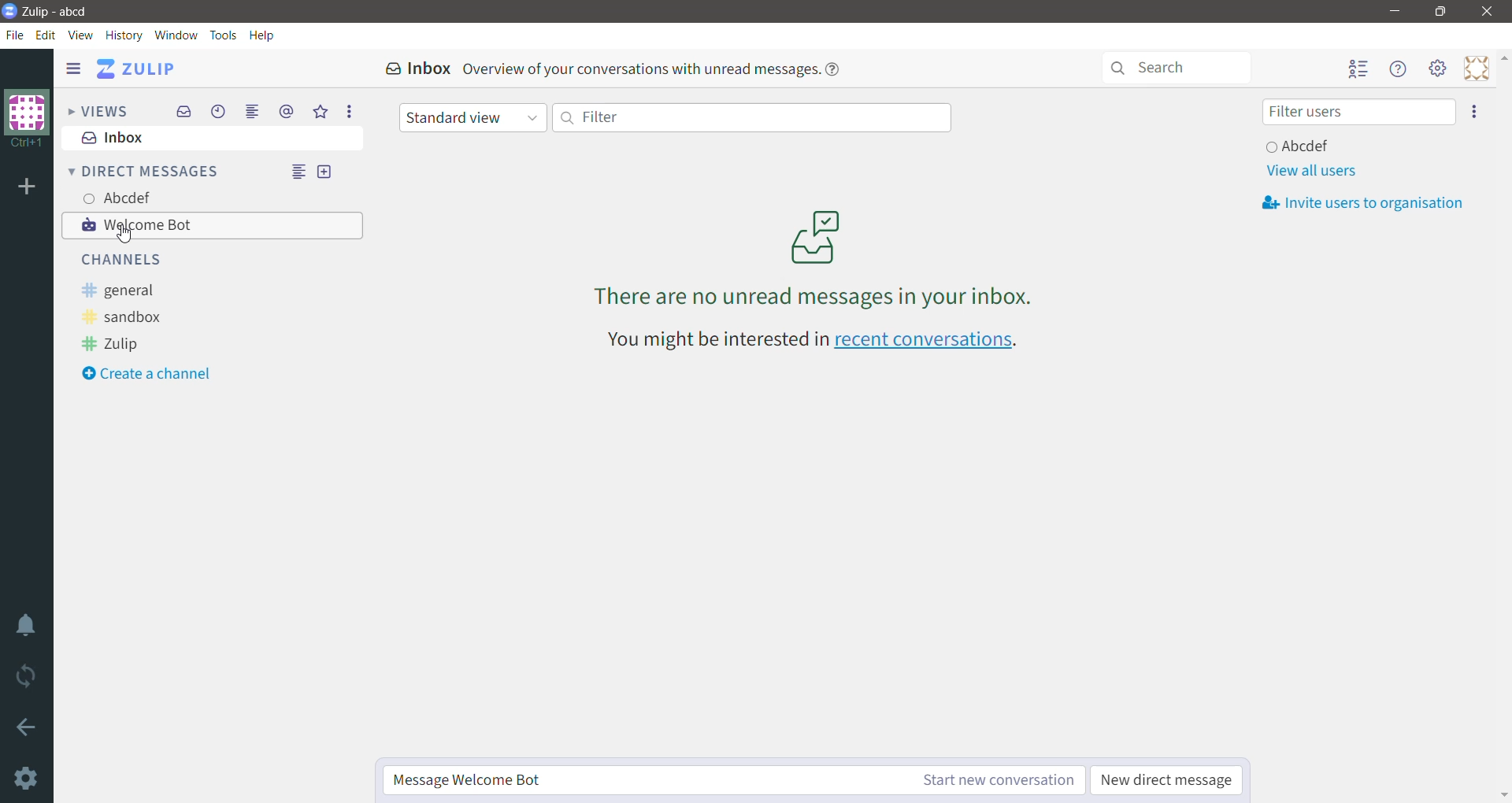 The width and height of the screenshot is (1512, 803). Describe the element at coordinates (1301, 146) in the screenshot. I see `Current logged in user and status` at that location.